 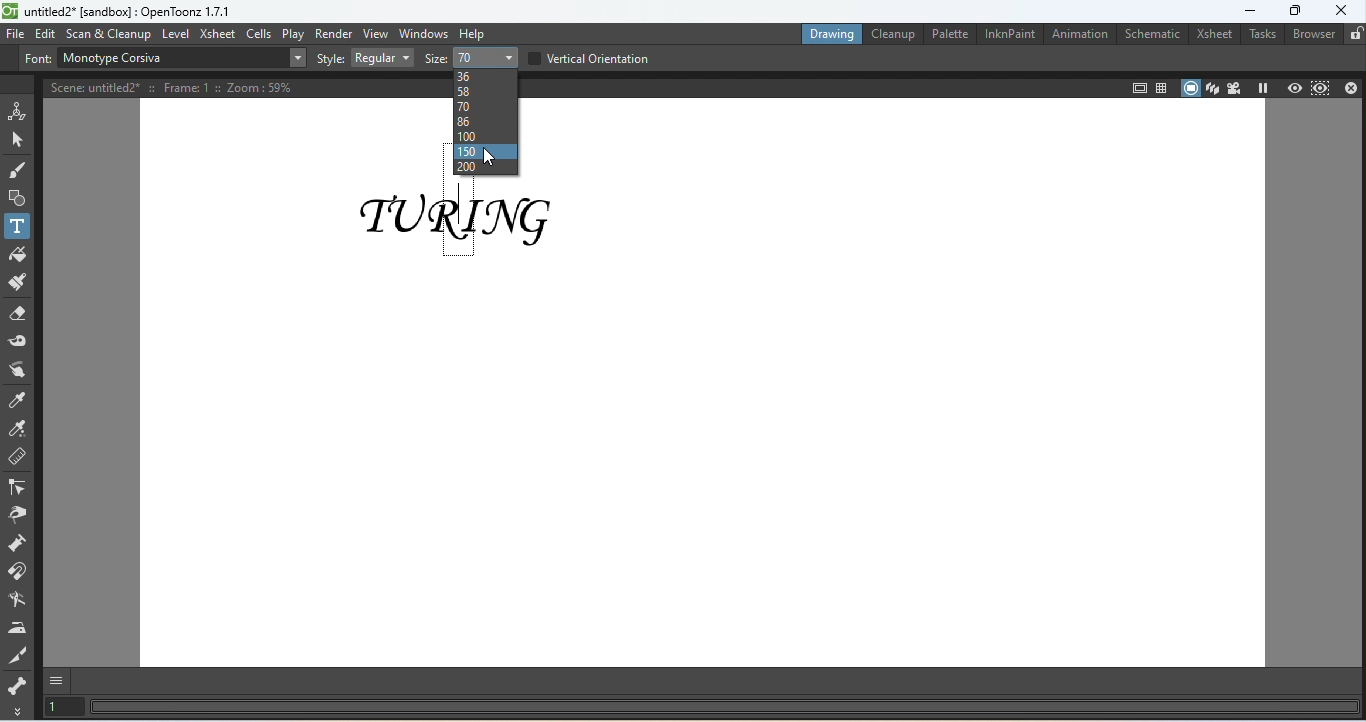 What do you see at coordinates (1162, 87) in the screenshot?
I see `Field guide` at bounding box center [1162, 87].